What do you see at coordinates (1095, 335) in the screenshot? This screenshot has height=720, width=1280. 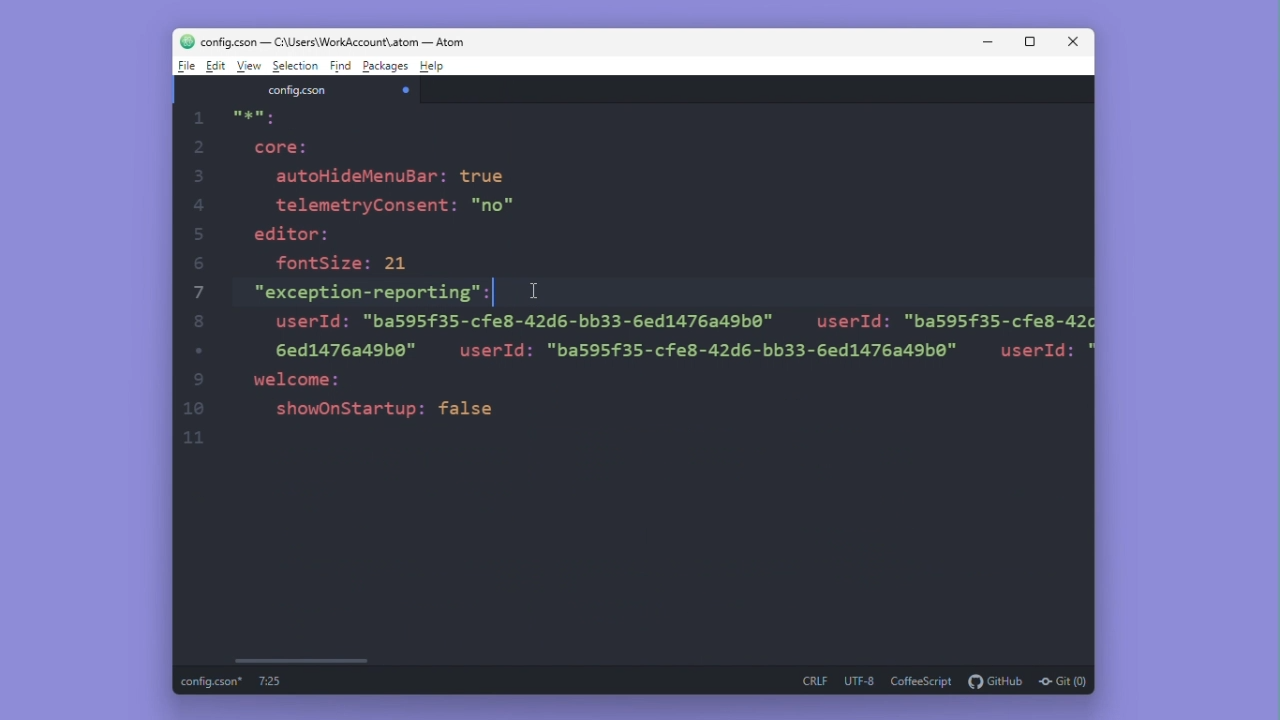 I see `Vertical scrollbar` at bounding box center [1095, 335].